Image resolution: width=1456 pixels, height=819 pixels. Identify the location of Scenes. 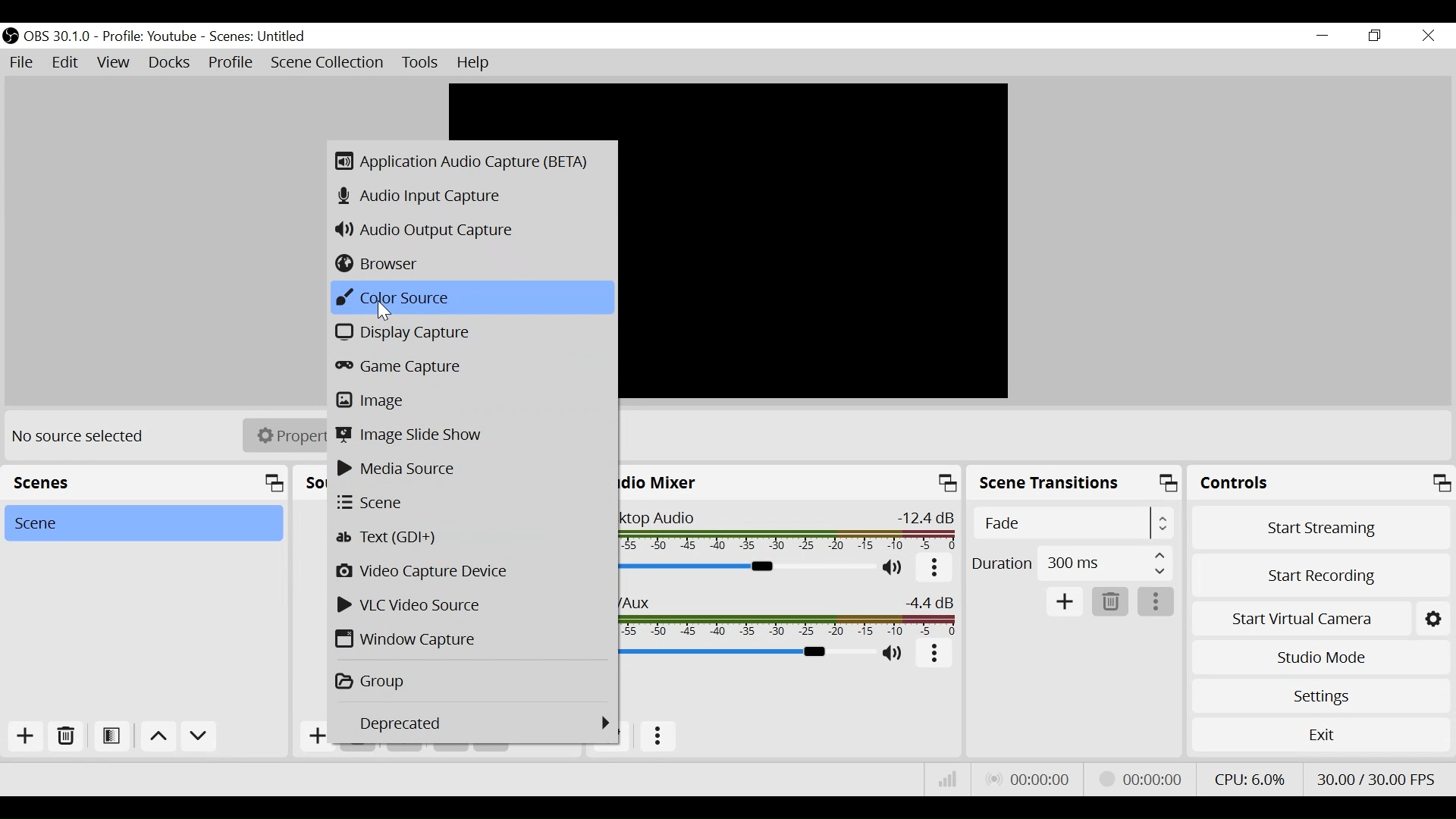
(262, 36).